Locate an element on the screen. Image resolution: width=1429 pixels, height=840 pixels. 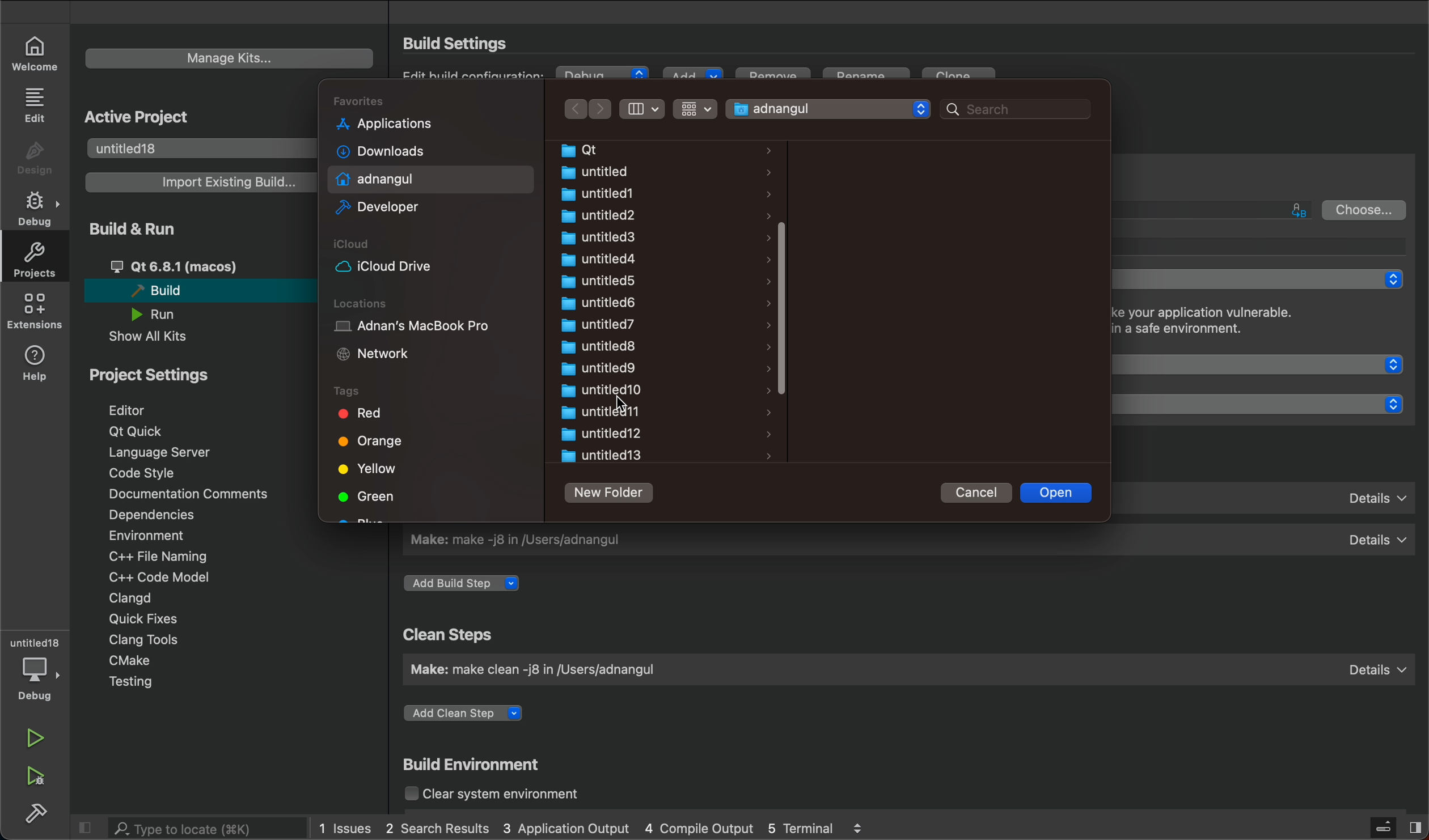
design is located at coordinates (33, 156).